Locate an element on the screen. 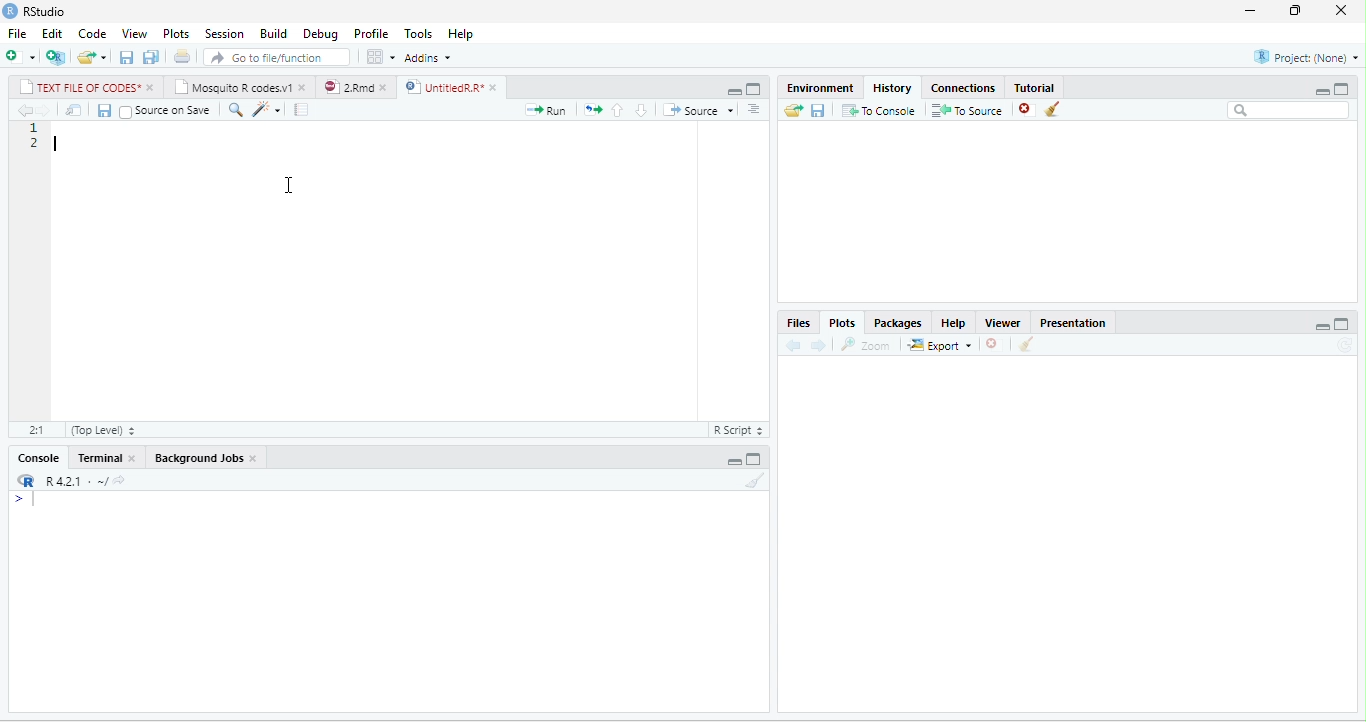 Image resolution: width=1366 pixels, height=722 pixels. Packages is located at coordinates (898, 323).